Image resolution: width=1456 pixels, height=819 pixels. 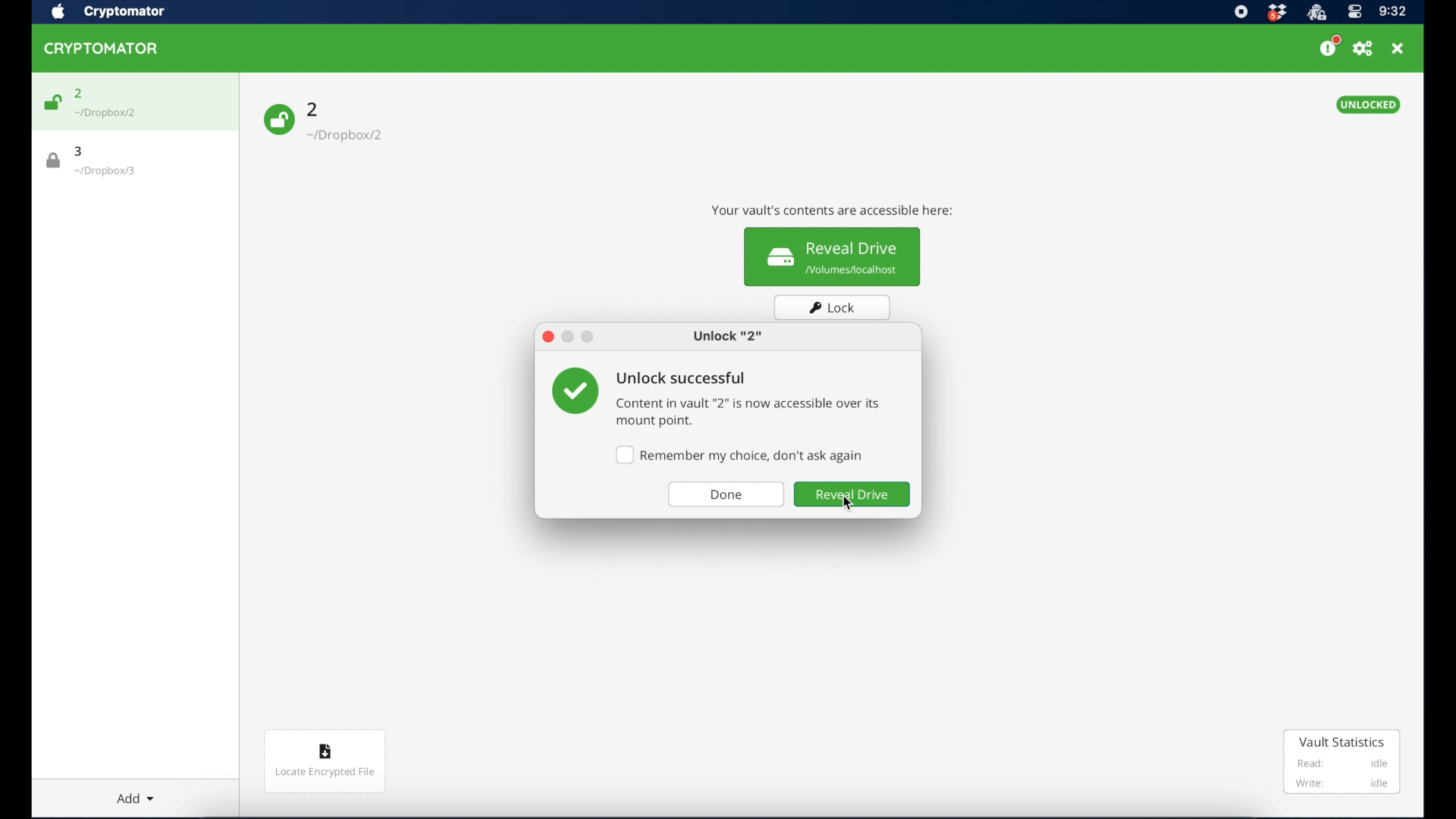 I want to click on reveal drive, so click(x=833, y=258).